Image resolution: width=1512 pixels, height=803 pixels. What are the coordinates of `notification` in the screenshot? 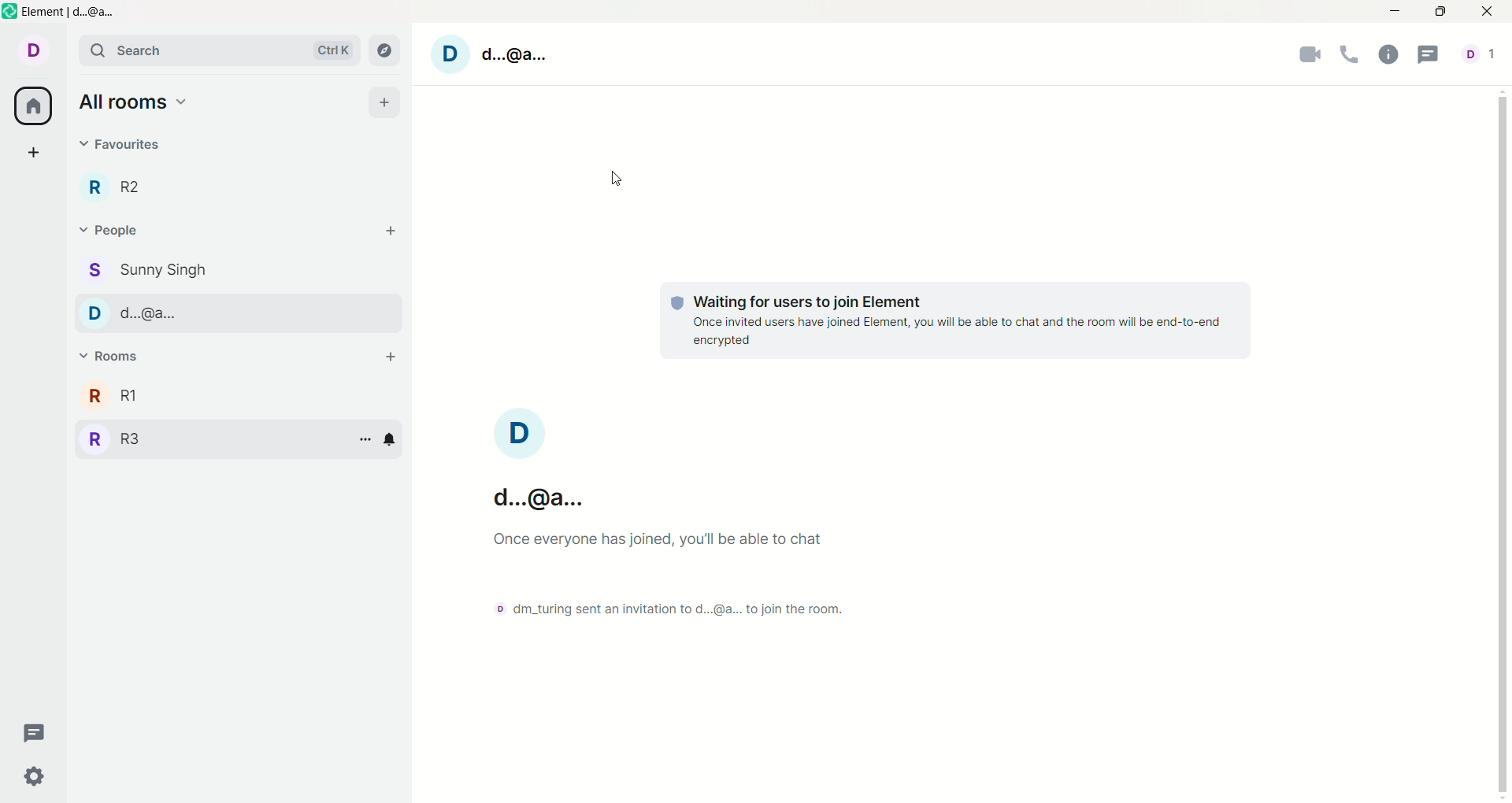 It's located at (393, 439).